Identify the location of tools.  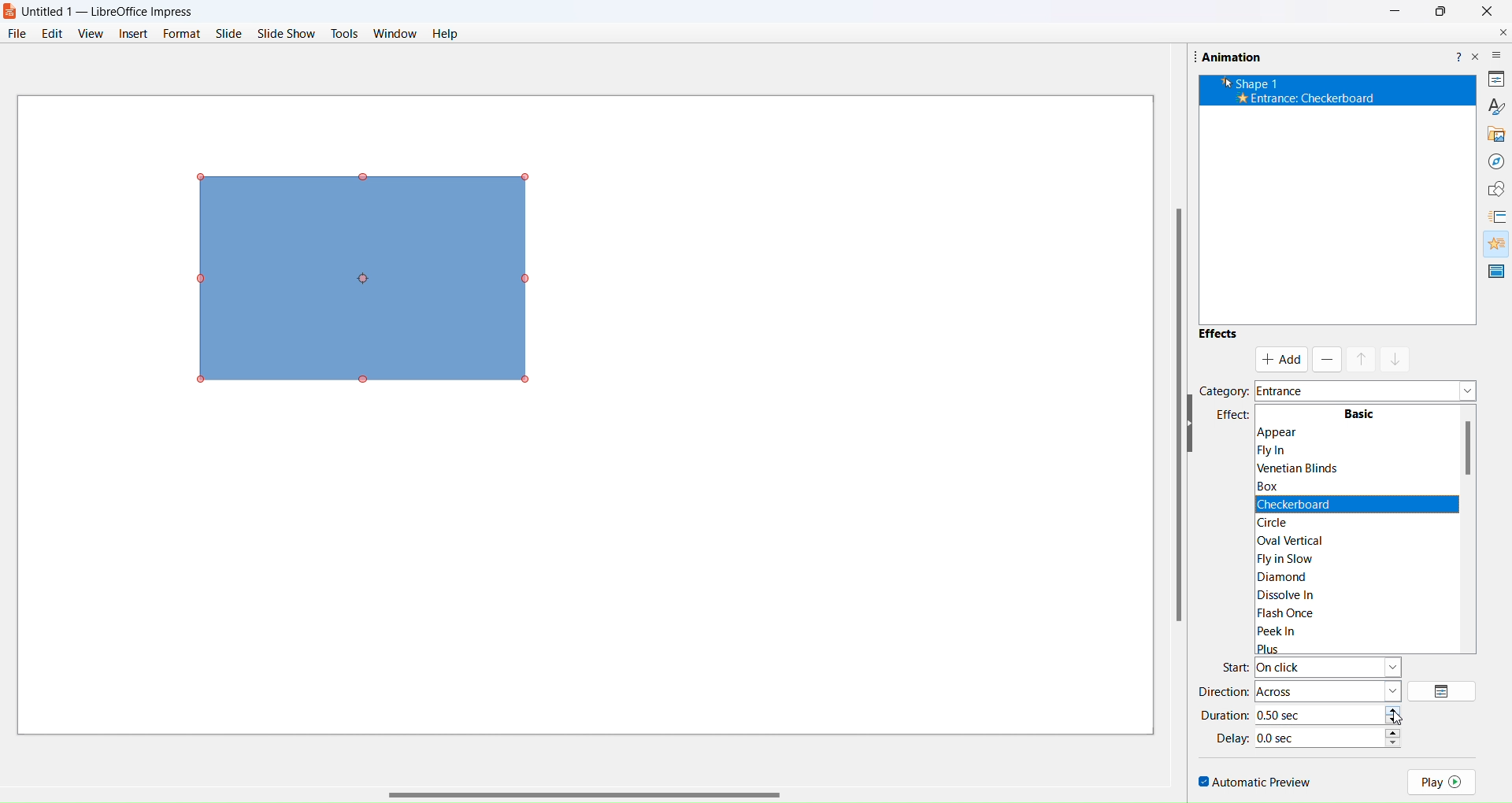
(344, 33).